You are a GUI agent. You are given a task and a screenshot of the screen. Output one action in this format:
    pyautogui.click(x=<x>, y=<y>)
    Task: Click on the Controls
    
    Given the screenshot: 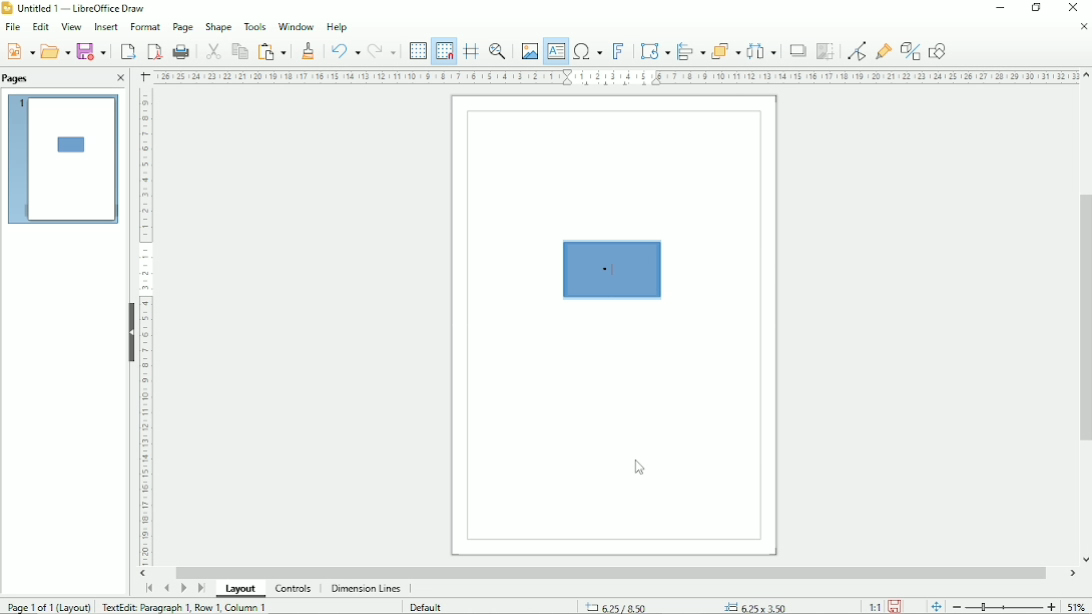 What is the action you would take?
    pyautogui.click(x=293, y=589)
    